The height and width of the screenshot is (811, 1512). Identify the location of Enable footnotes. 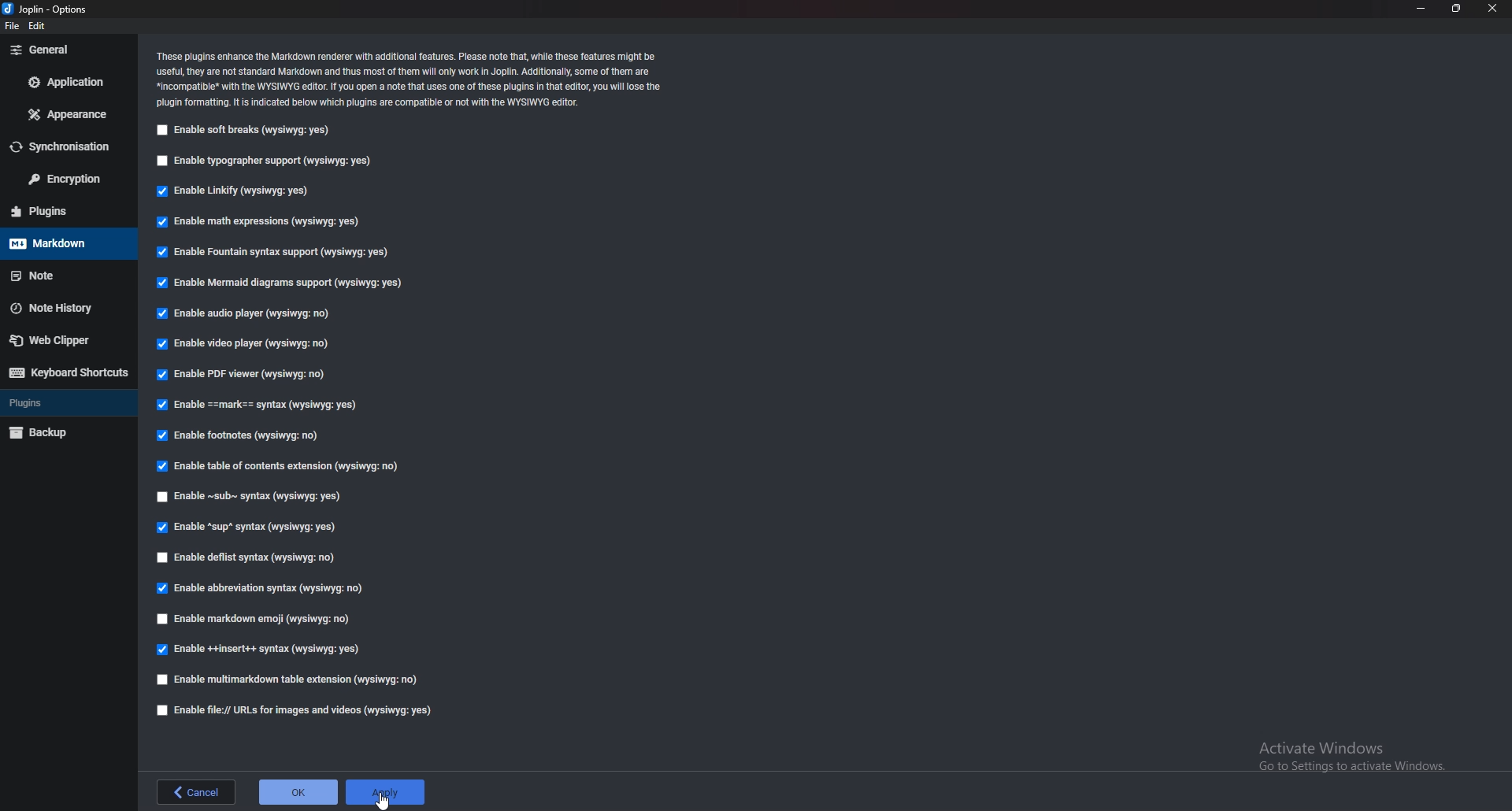
(240, 435).